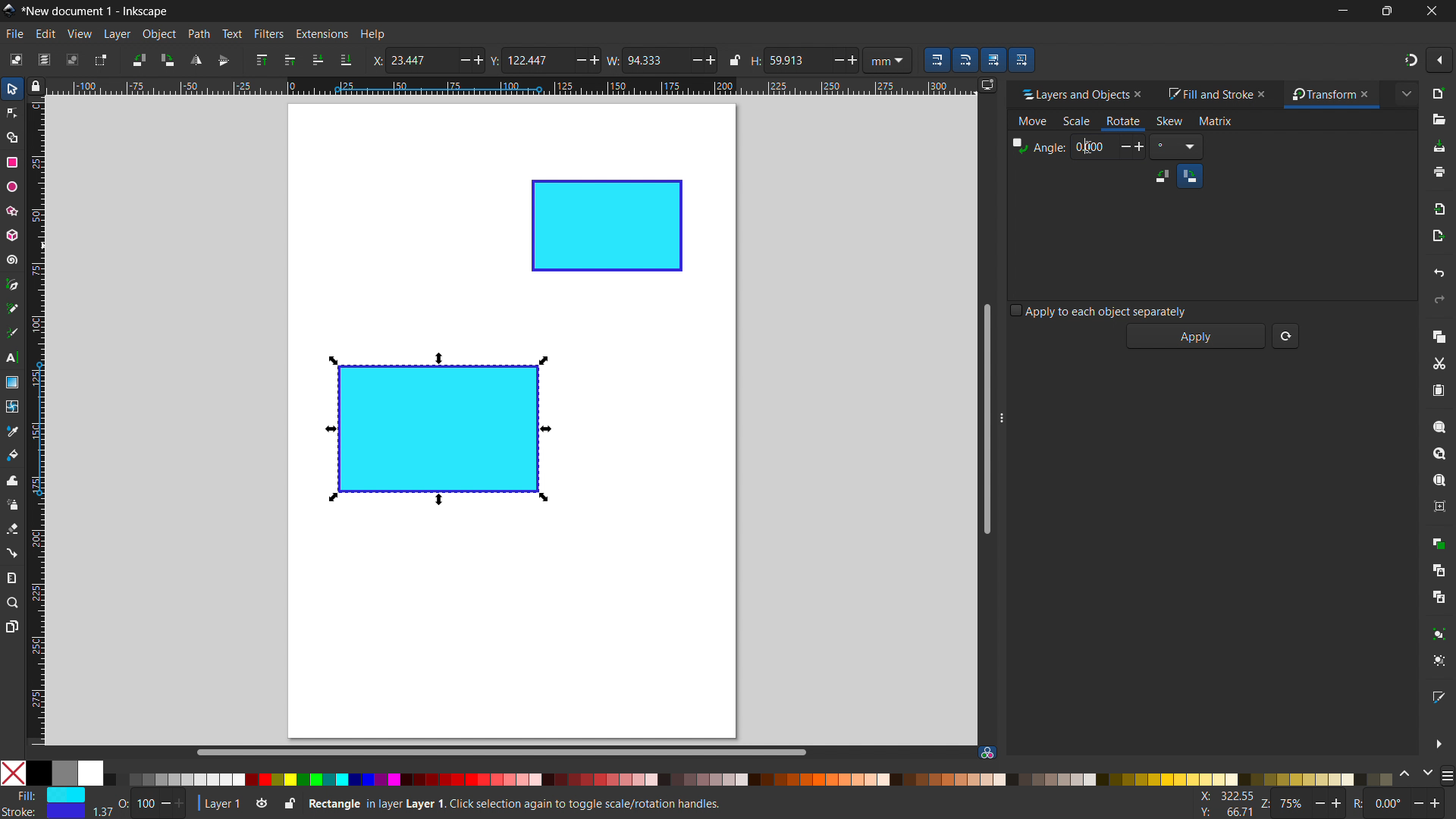 The height and width of the screenshot is (819, 1456). What do you see at coordinates (1440, 93) in the screenshot?
I see `new` at bounding box center [1440, 93].